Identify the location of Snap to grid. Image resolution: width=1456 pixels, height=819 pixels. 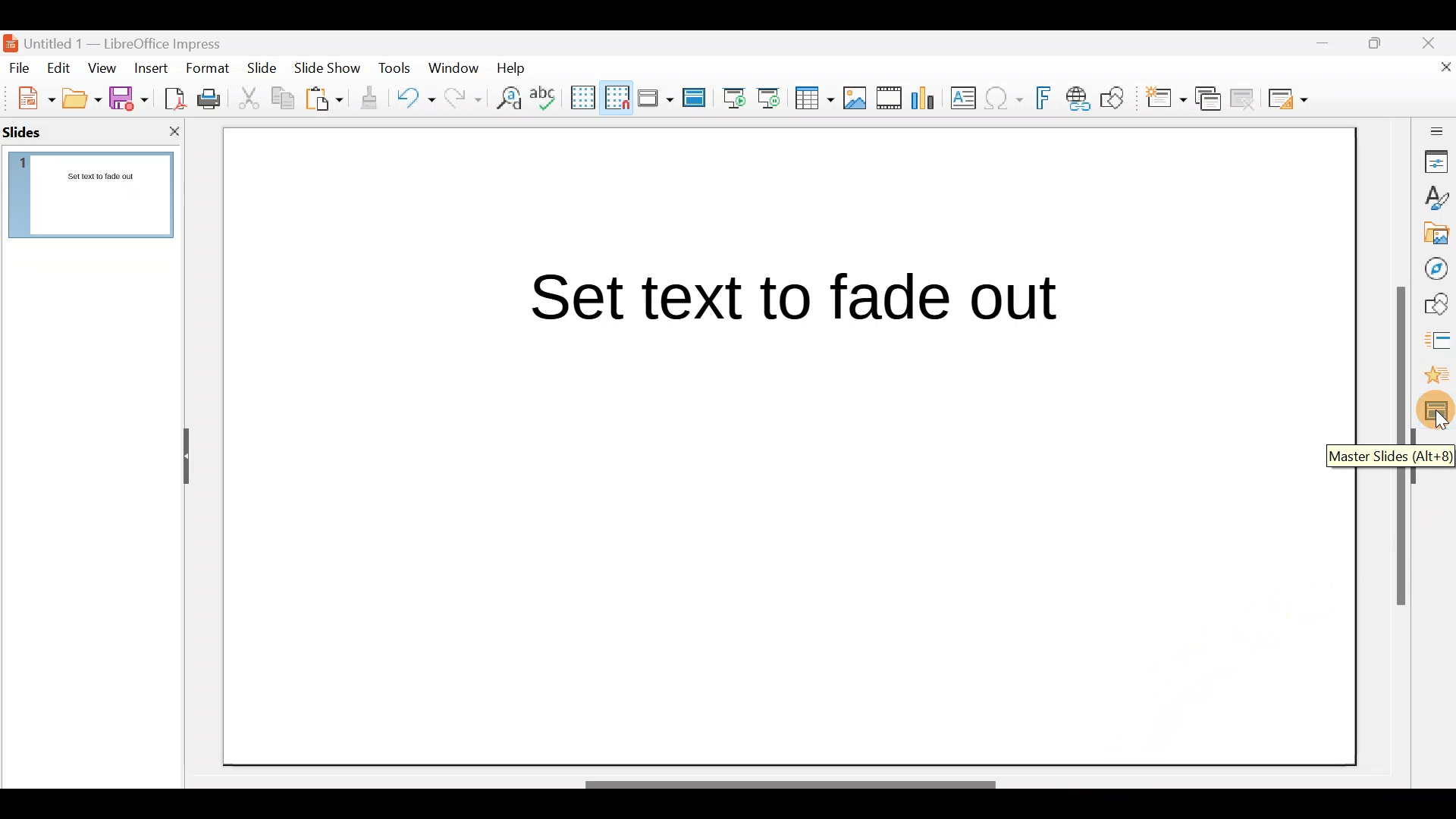
(614, 97).